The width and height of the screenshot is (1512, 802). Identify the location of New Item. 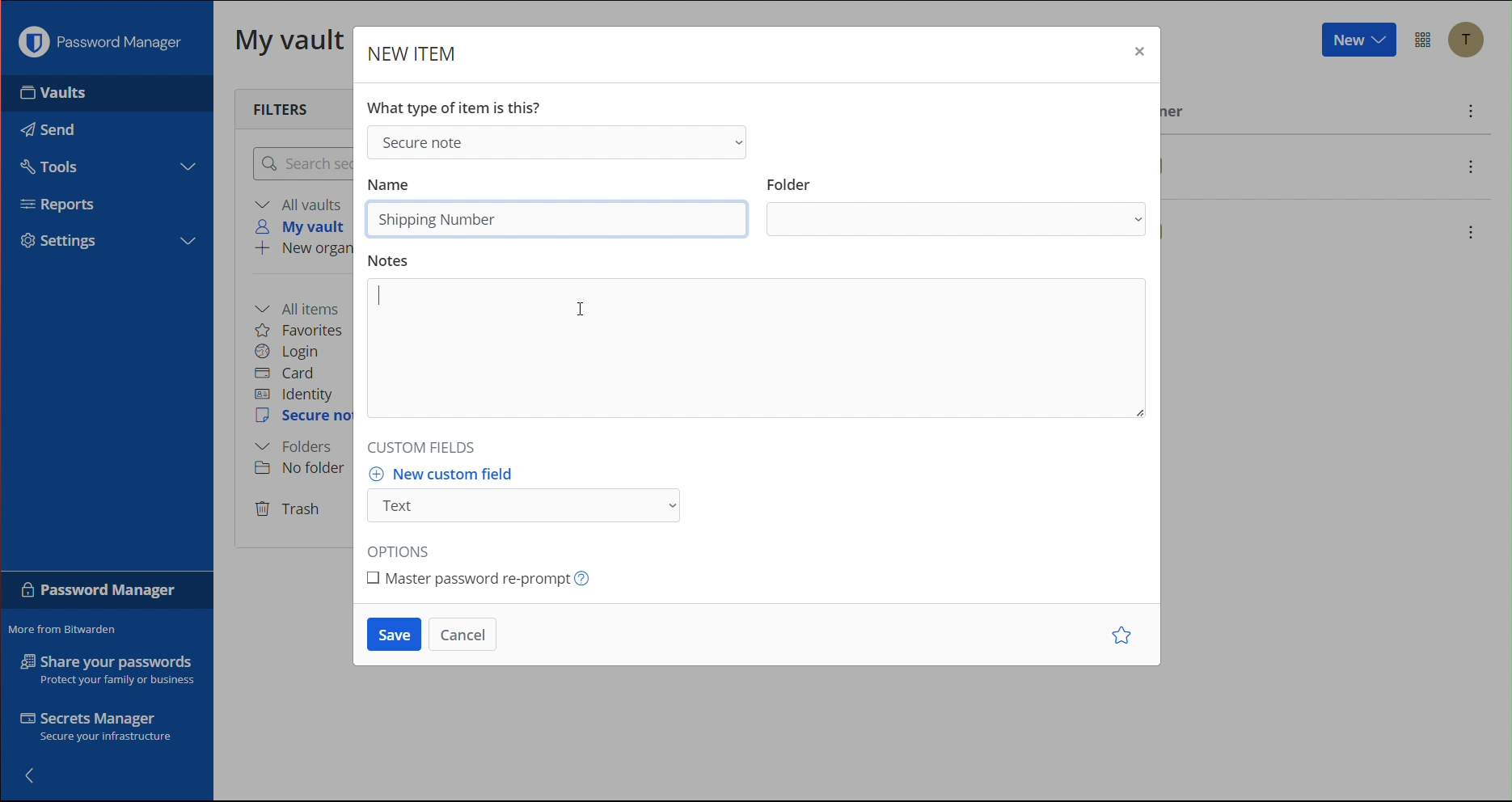
(419, 54).